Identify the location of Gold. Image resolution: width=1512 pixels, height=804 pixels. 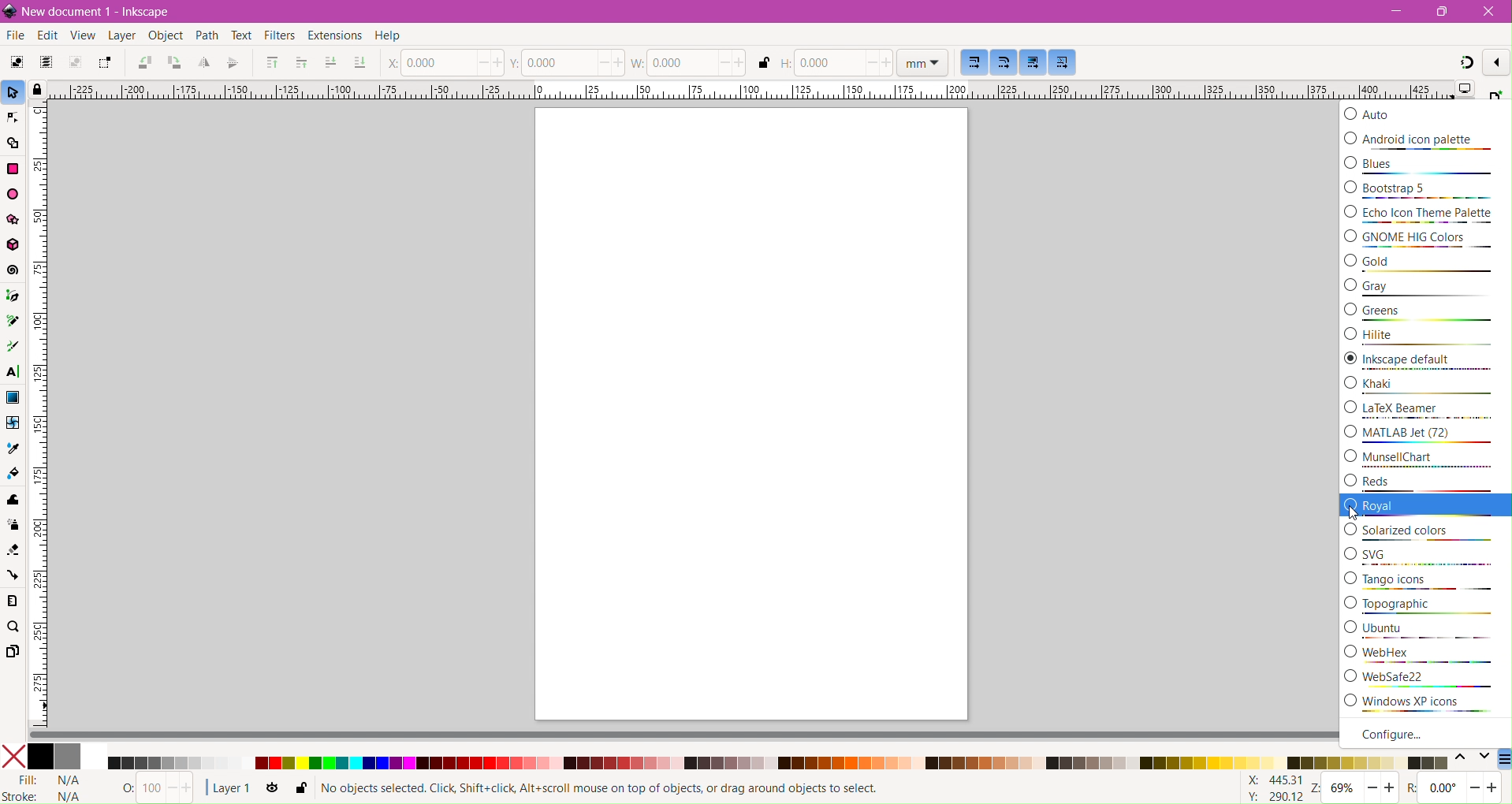
(1425, 264).